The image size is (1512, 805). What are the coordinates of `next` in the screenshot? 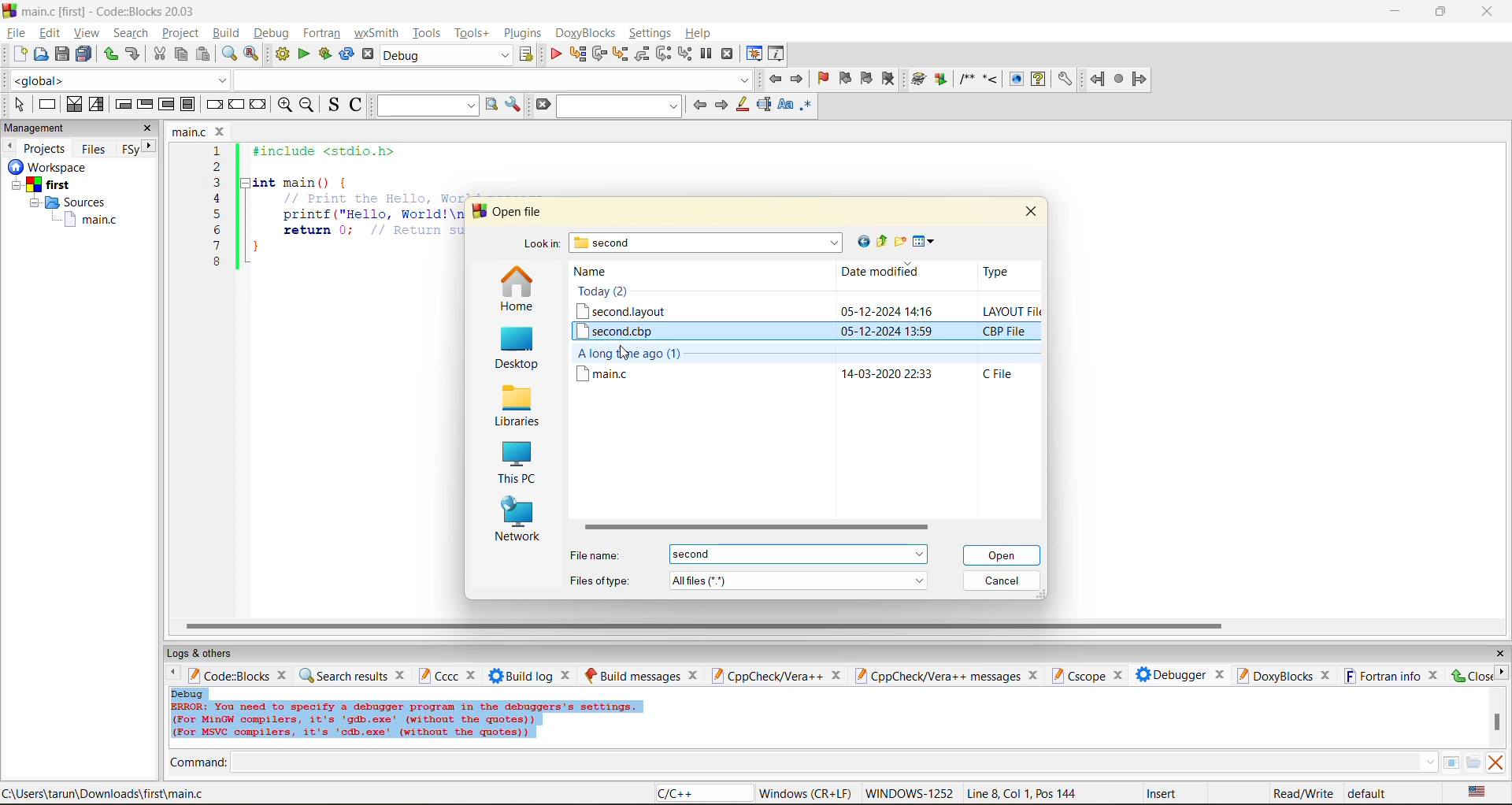 It's located at (721, 105).